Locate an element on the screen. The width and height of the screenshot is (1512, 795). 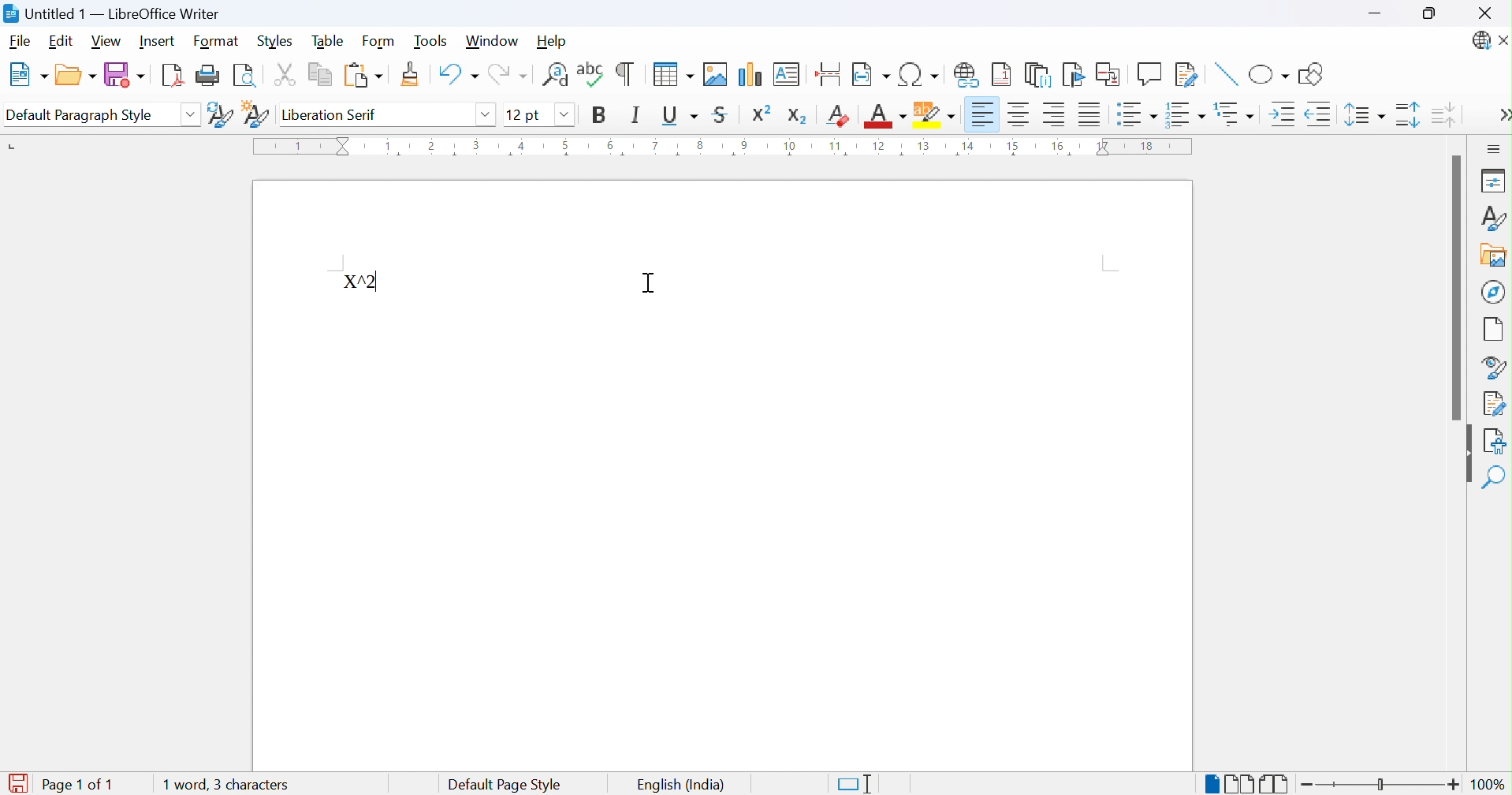
Ruler is located at coordinates (728, 146).